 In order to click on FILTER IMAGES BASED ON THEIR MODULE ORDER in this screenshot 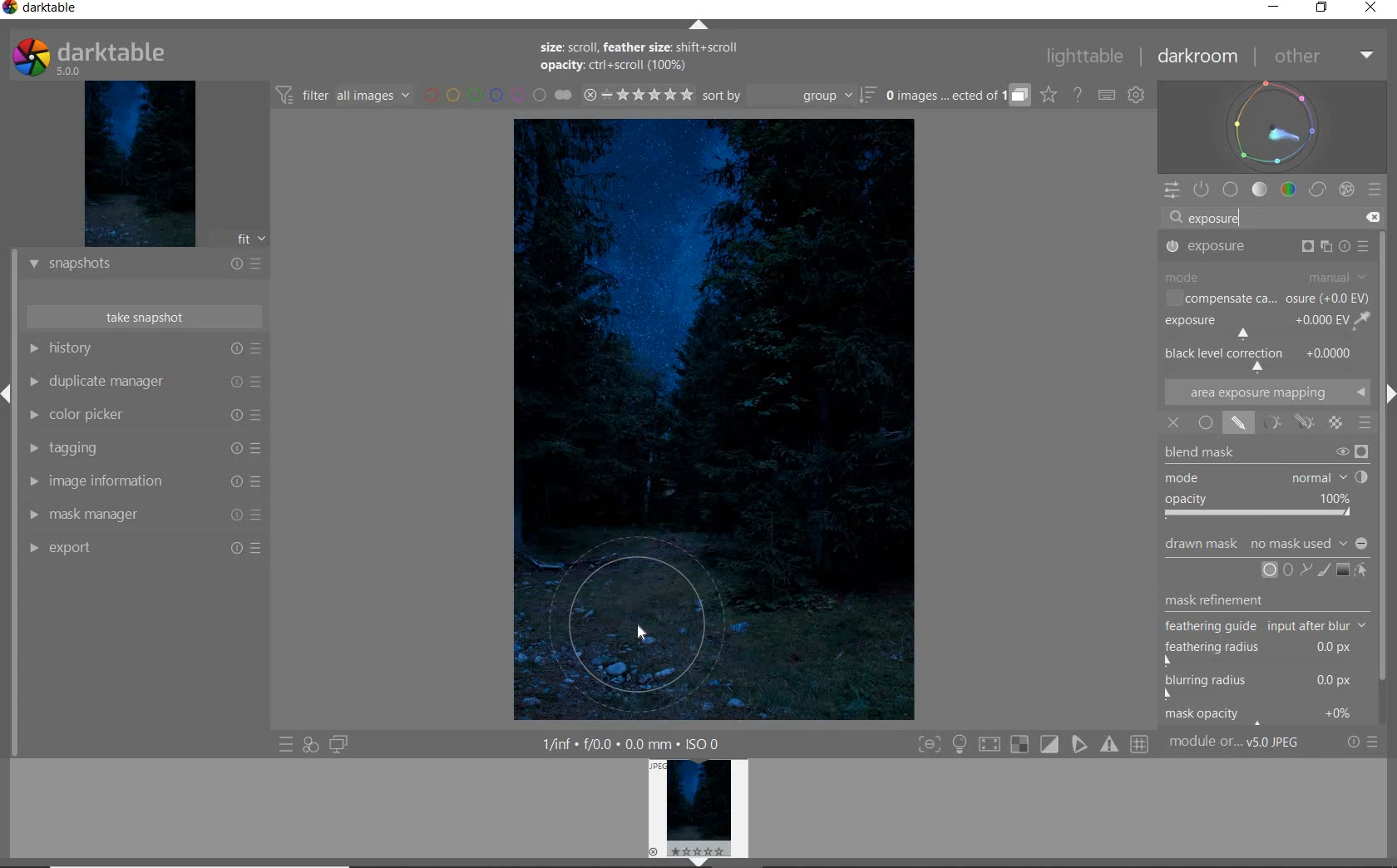, I will do `click(345, 96)`.